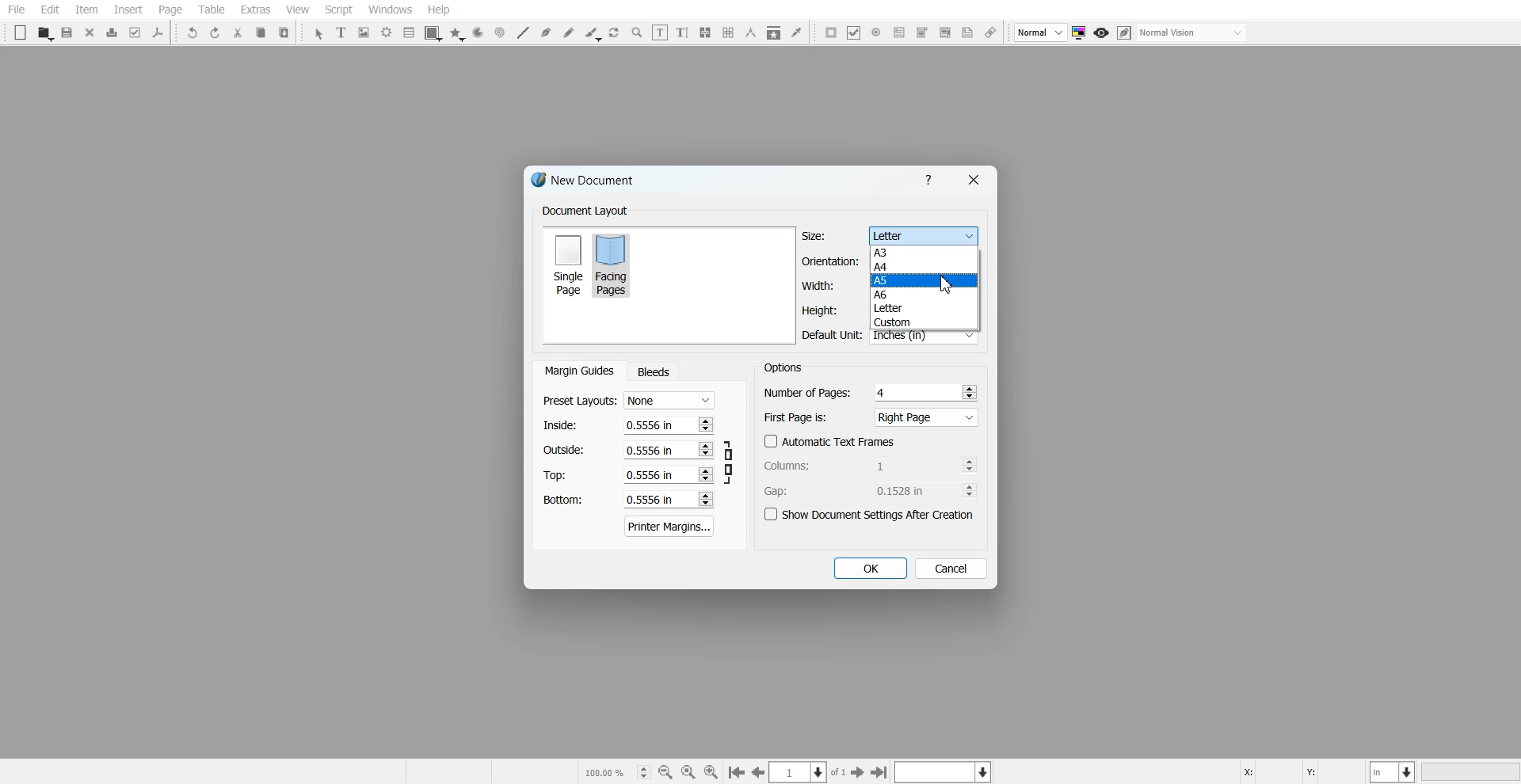  I want to click on A4, so click(924, 267).